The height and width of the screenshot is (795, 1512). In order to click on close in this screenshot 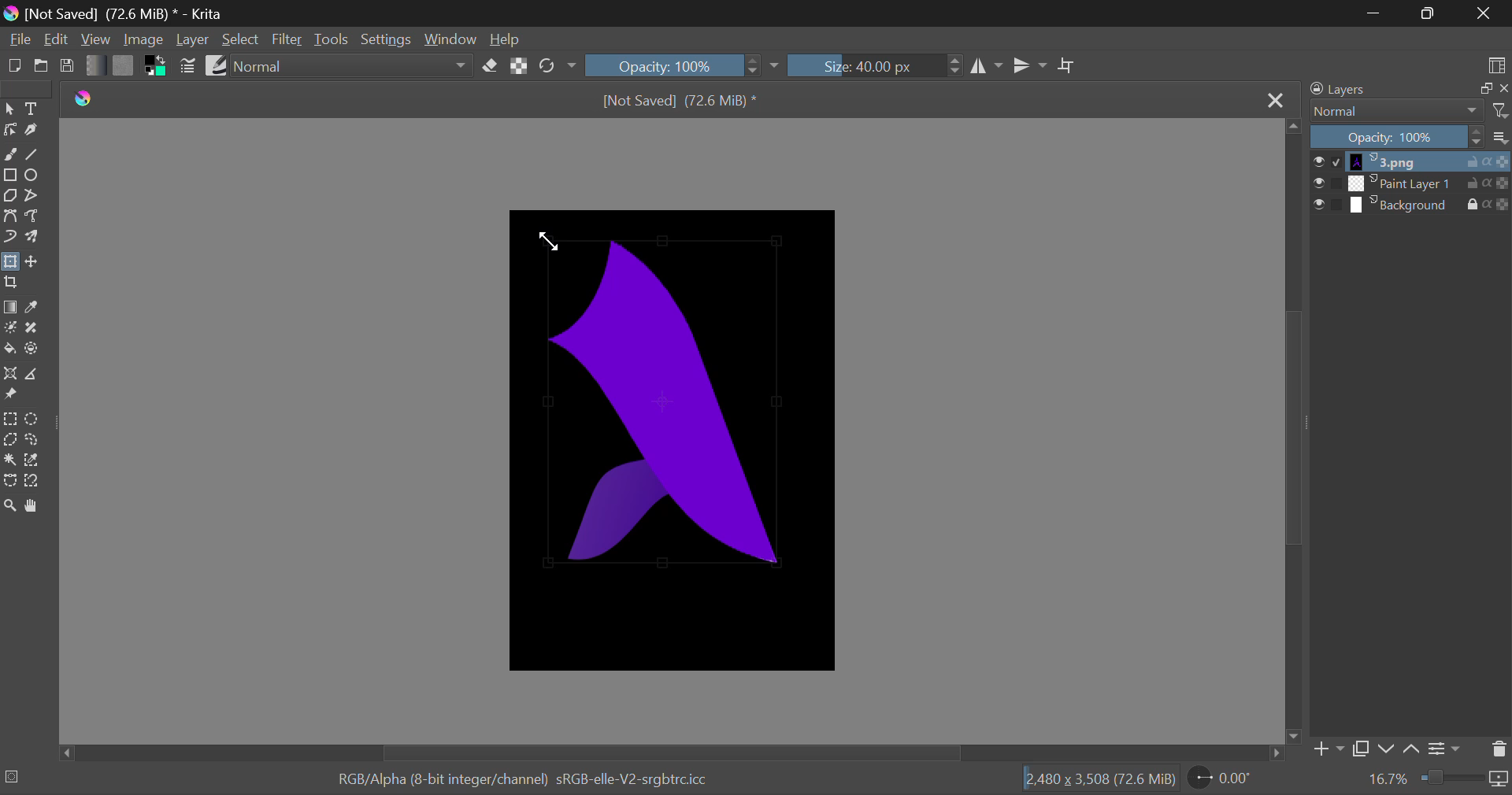, I will do `click(1503, 87)`.